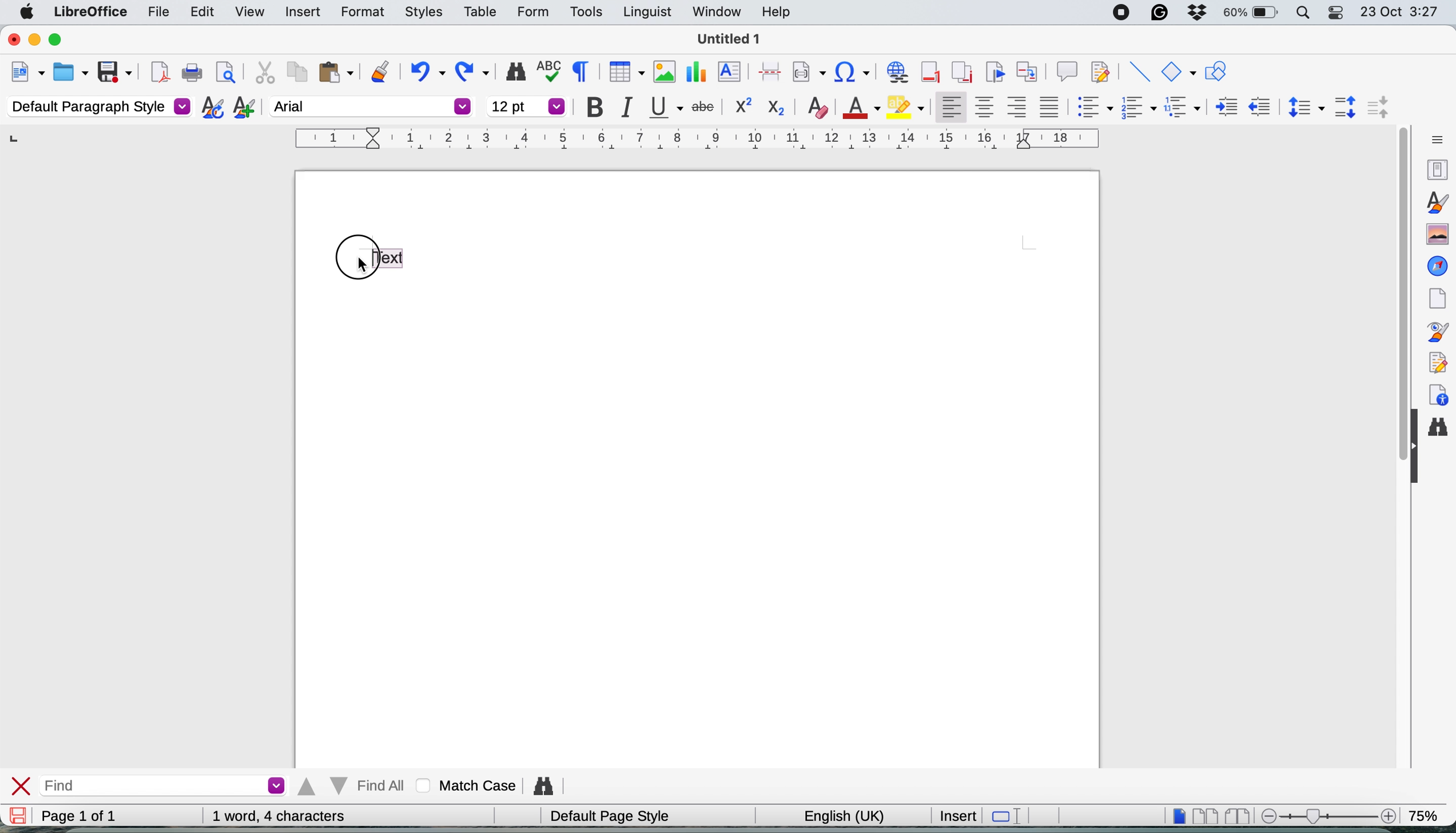 Image resolution: width=1456 pixels, height=833 pixels. Describe the element at coordinates (1050, 106) in the screenshot. I see `justified` at that location.